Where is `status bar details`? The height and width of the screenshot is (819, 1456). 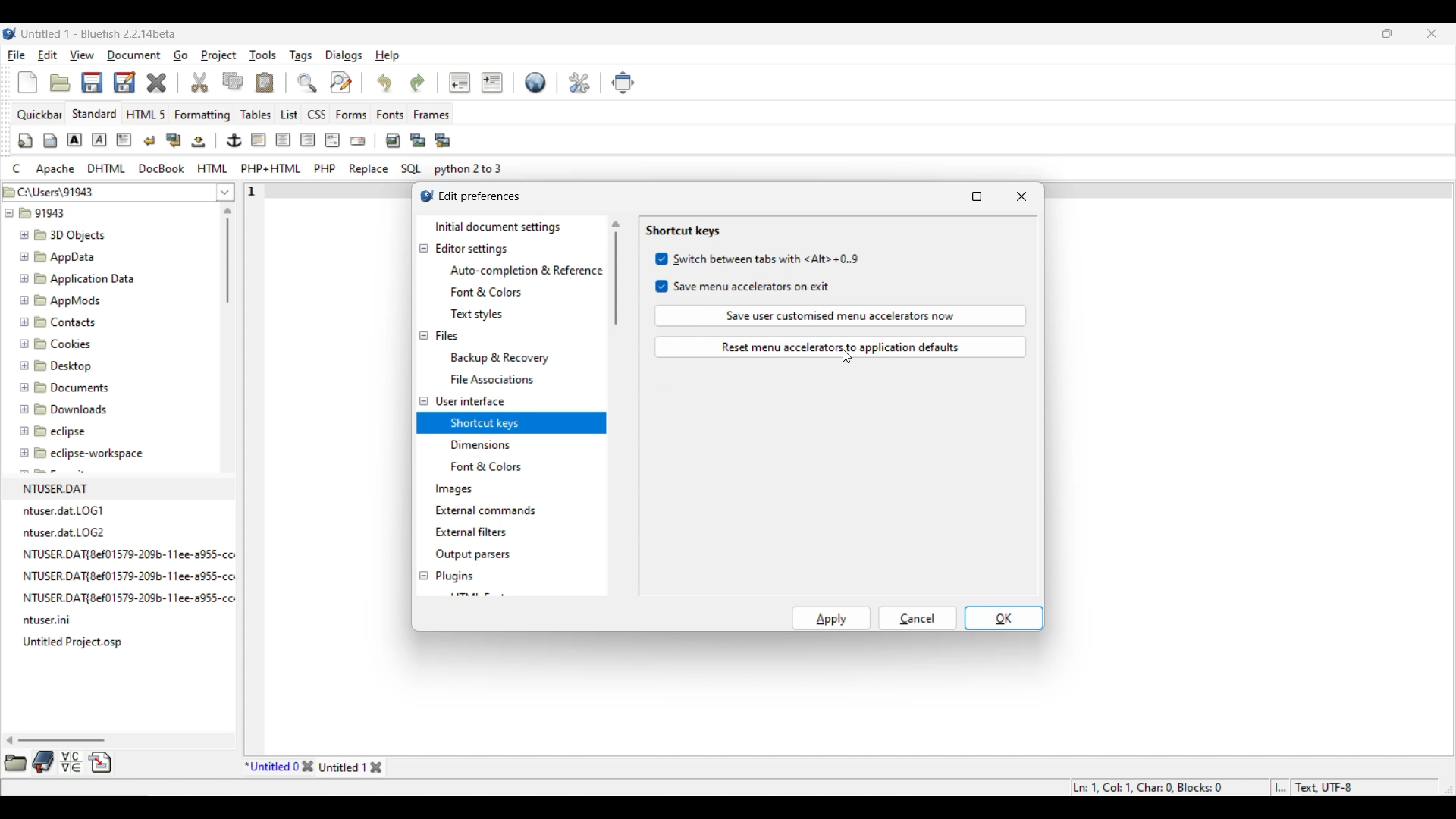
status bar details is located at coordinates (1242, 786).